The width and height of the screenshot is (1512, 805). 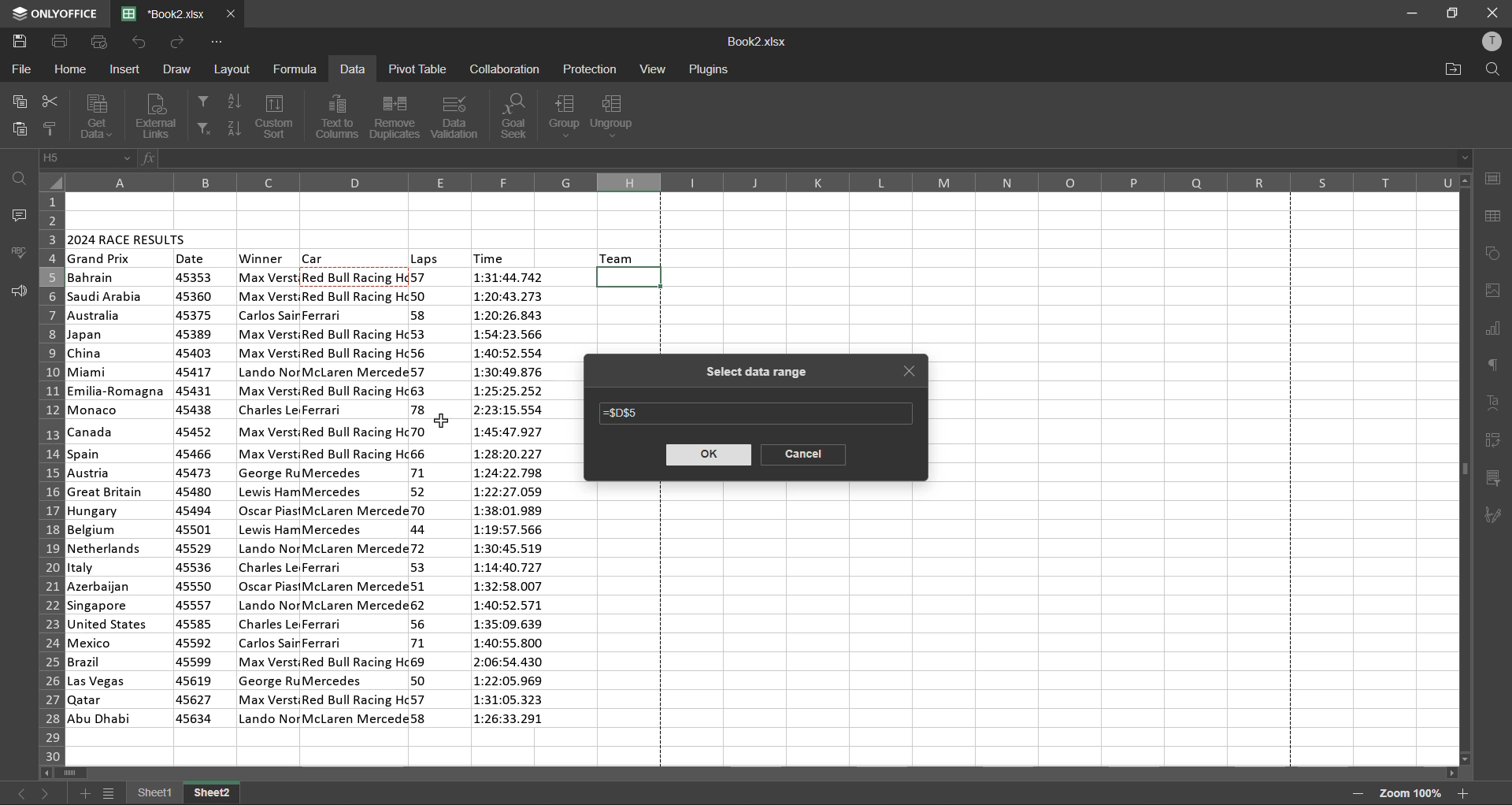 What do you see at coordinates (46, 791) in the screenshot?
I see `next` at bounding box center [46, 791].